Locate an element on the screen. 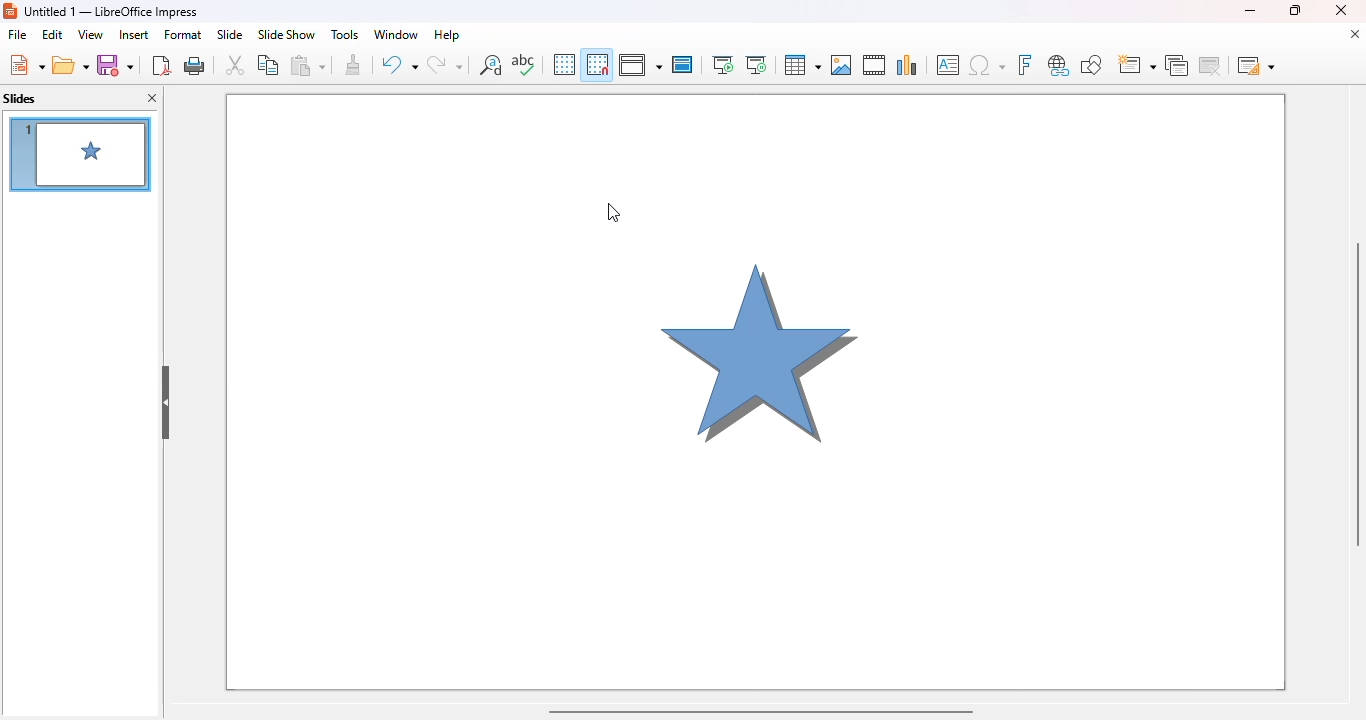 This screenshot has height=720, width=1366. delete slide is located at coordinates (1210, 65).